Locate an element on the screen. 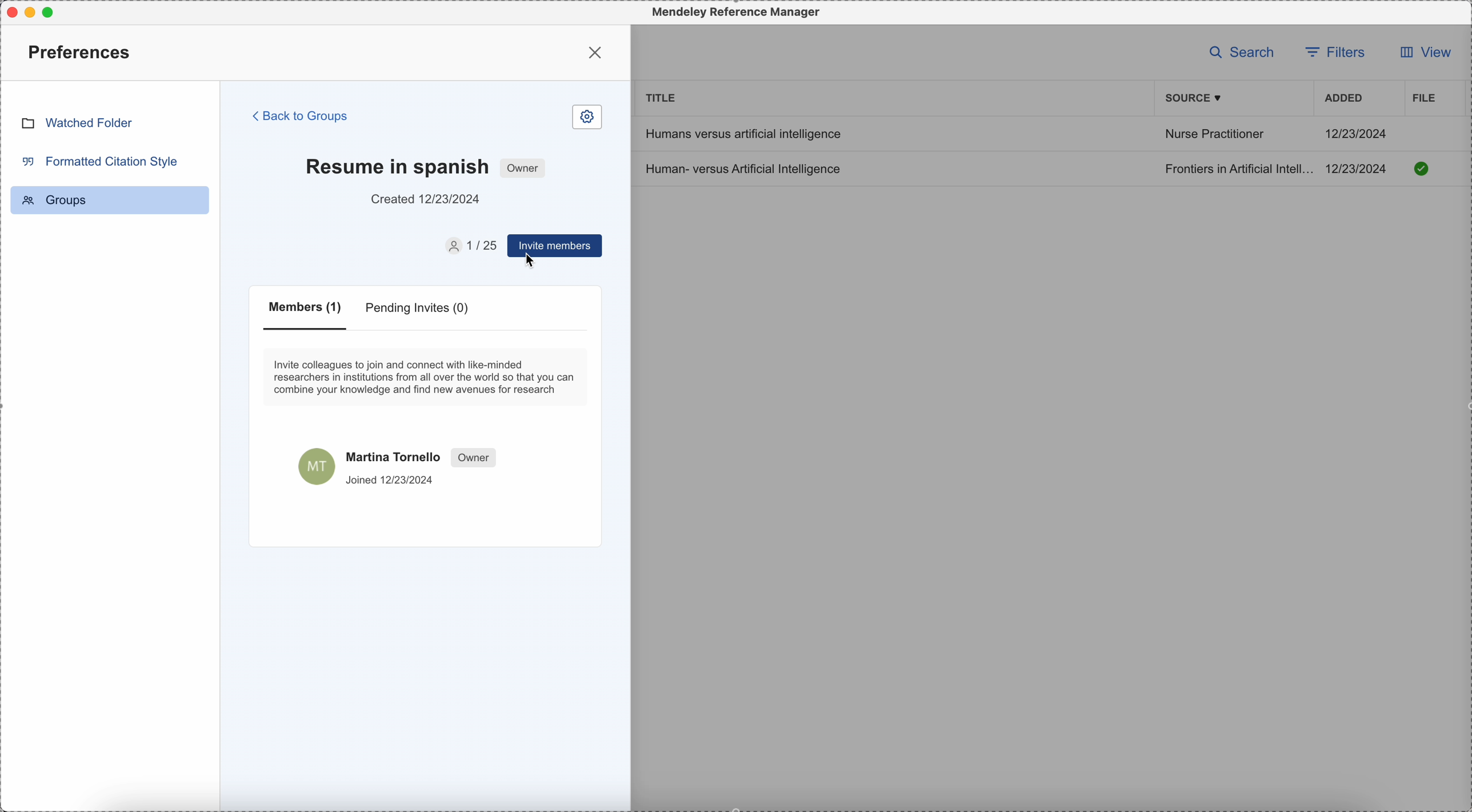  search is located at coordinates (1242, 51).